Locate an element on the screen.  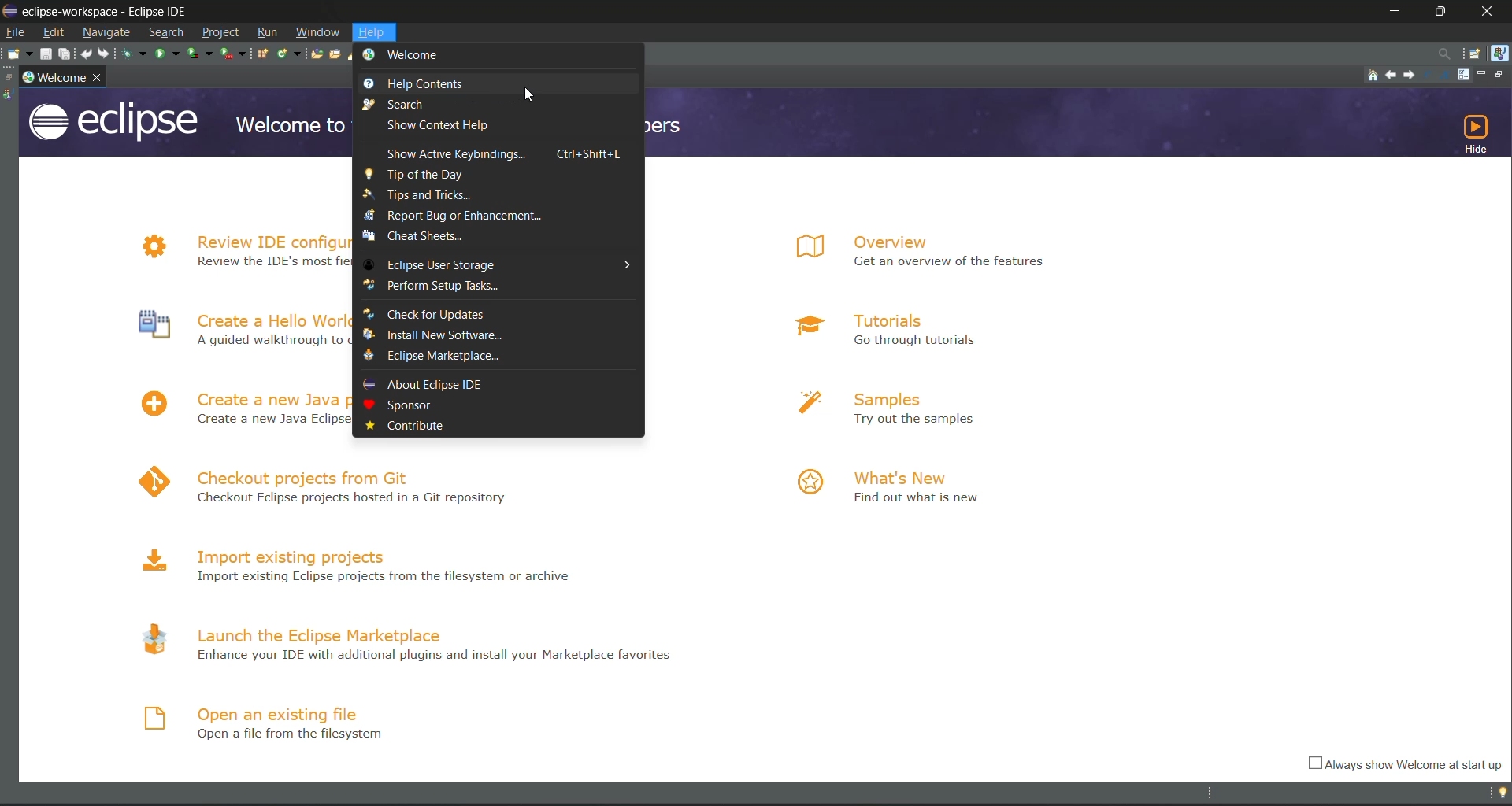
edit is located at coordinates (57, 33).